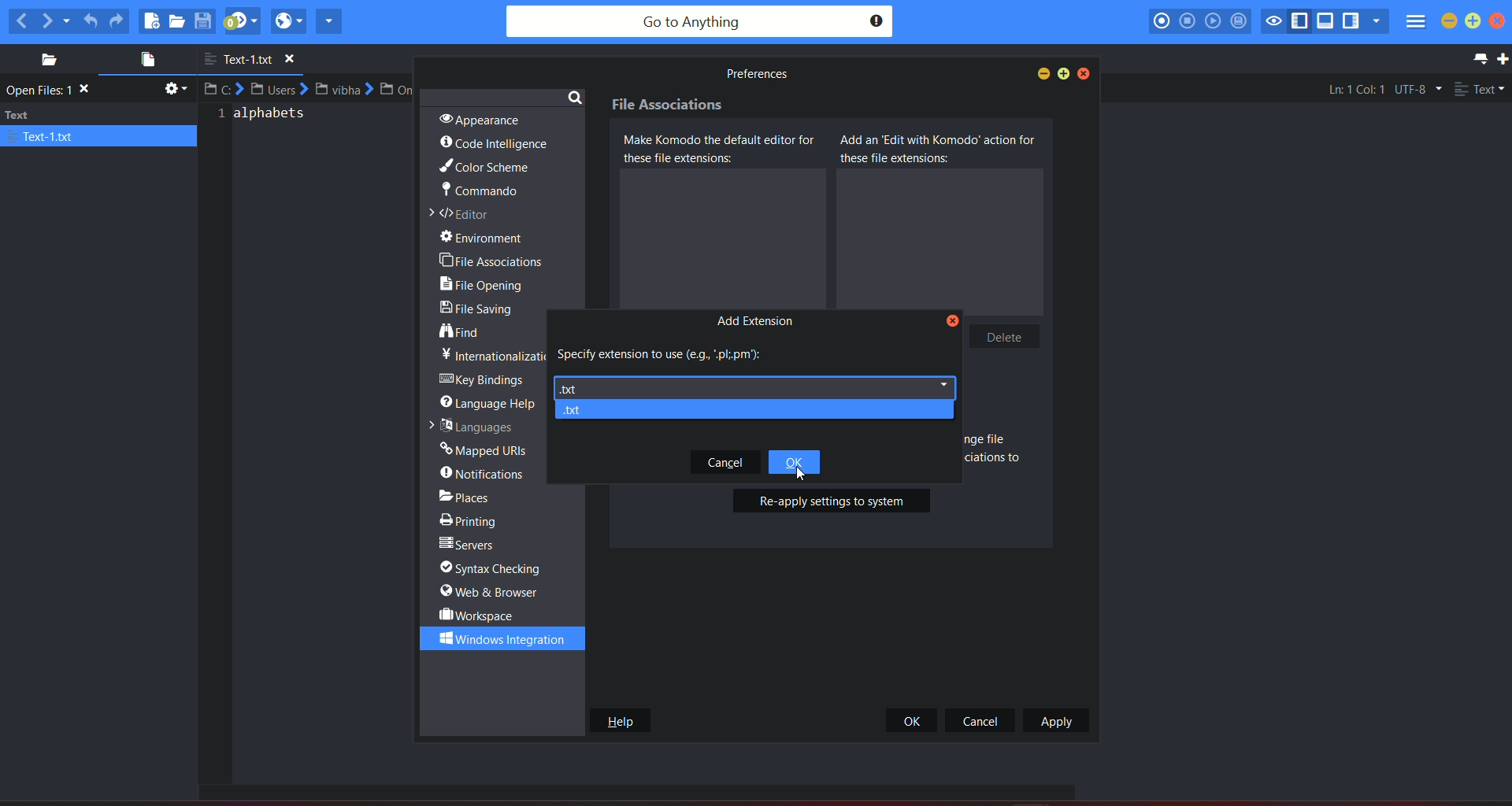 The image size is (1512, 806). Describe the element at coordinates (491, 261) in the screenshot. I see `file associations` at that location.